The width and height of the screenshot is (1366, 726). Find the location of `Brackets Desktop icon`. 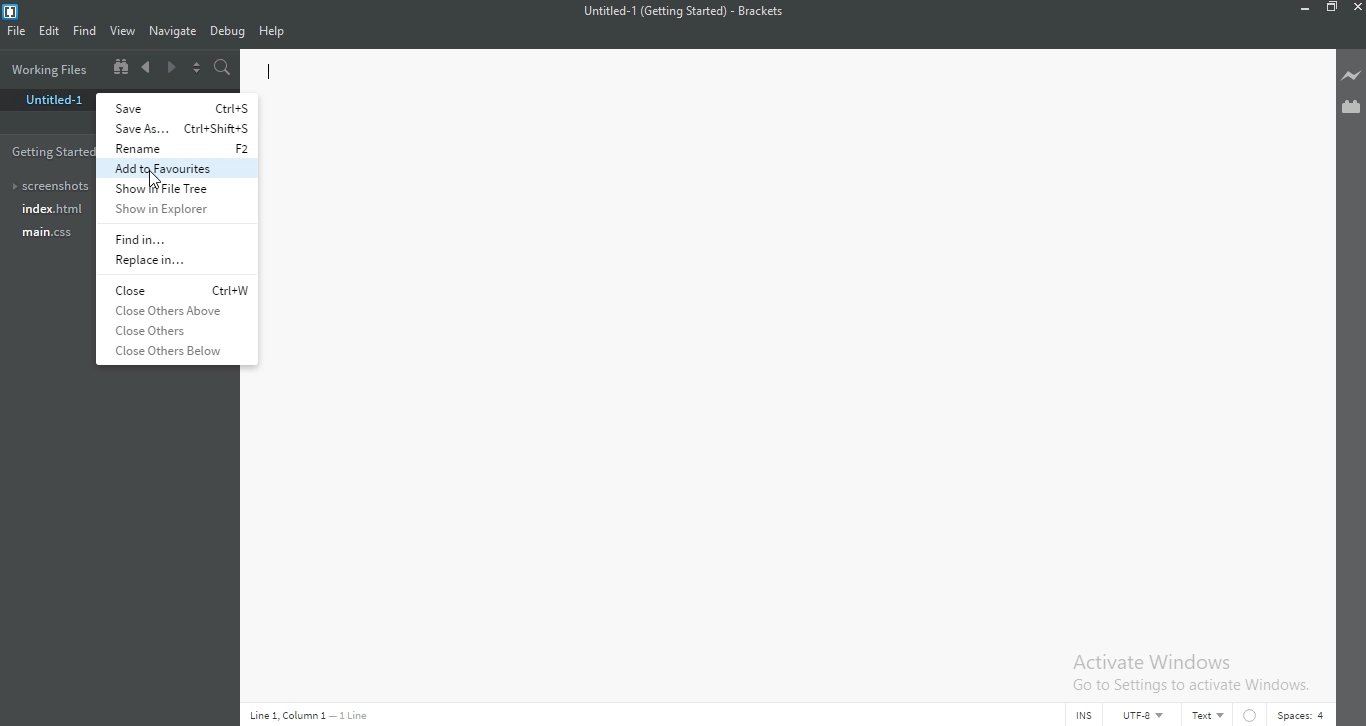

Brackets Desktop icon is located at coordinates (12, 12).